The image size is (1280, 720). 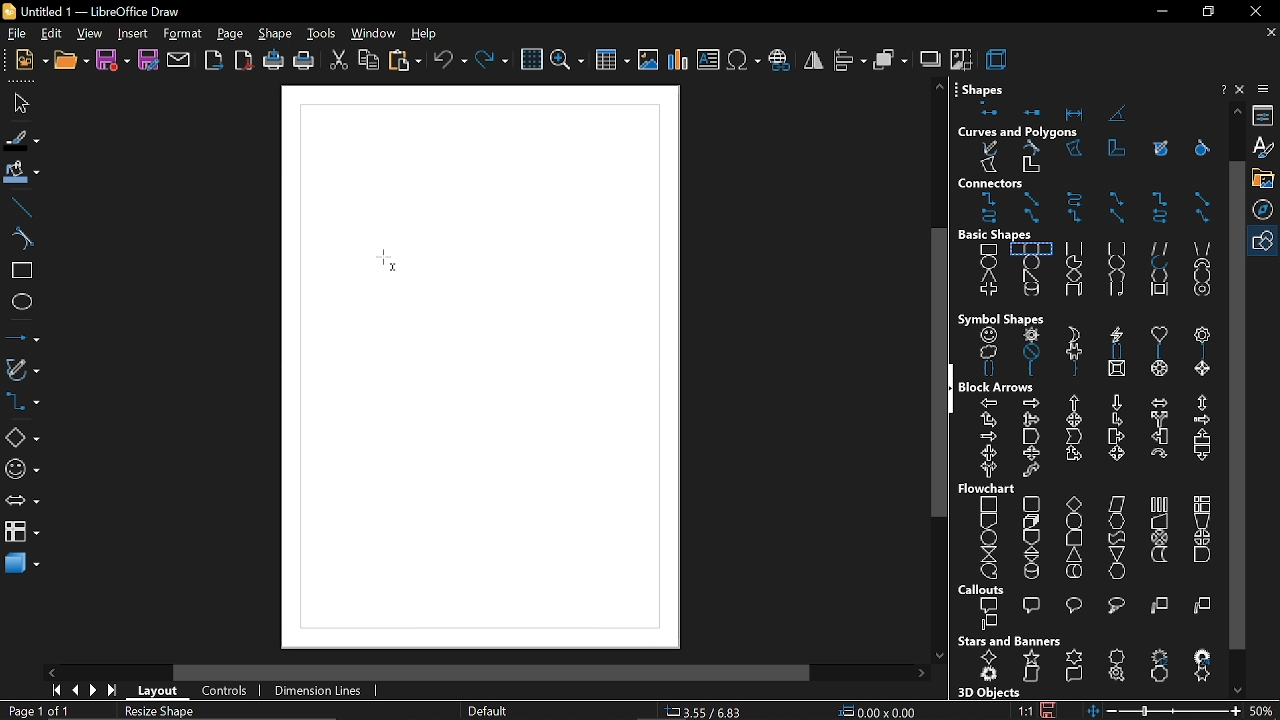 What do you see at coordinates (90, 35) in the screenshot?
I see `view` at bounding box center [90, 35].